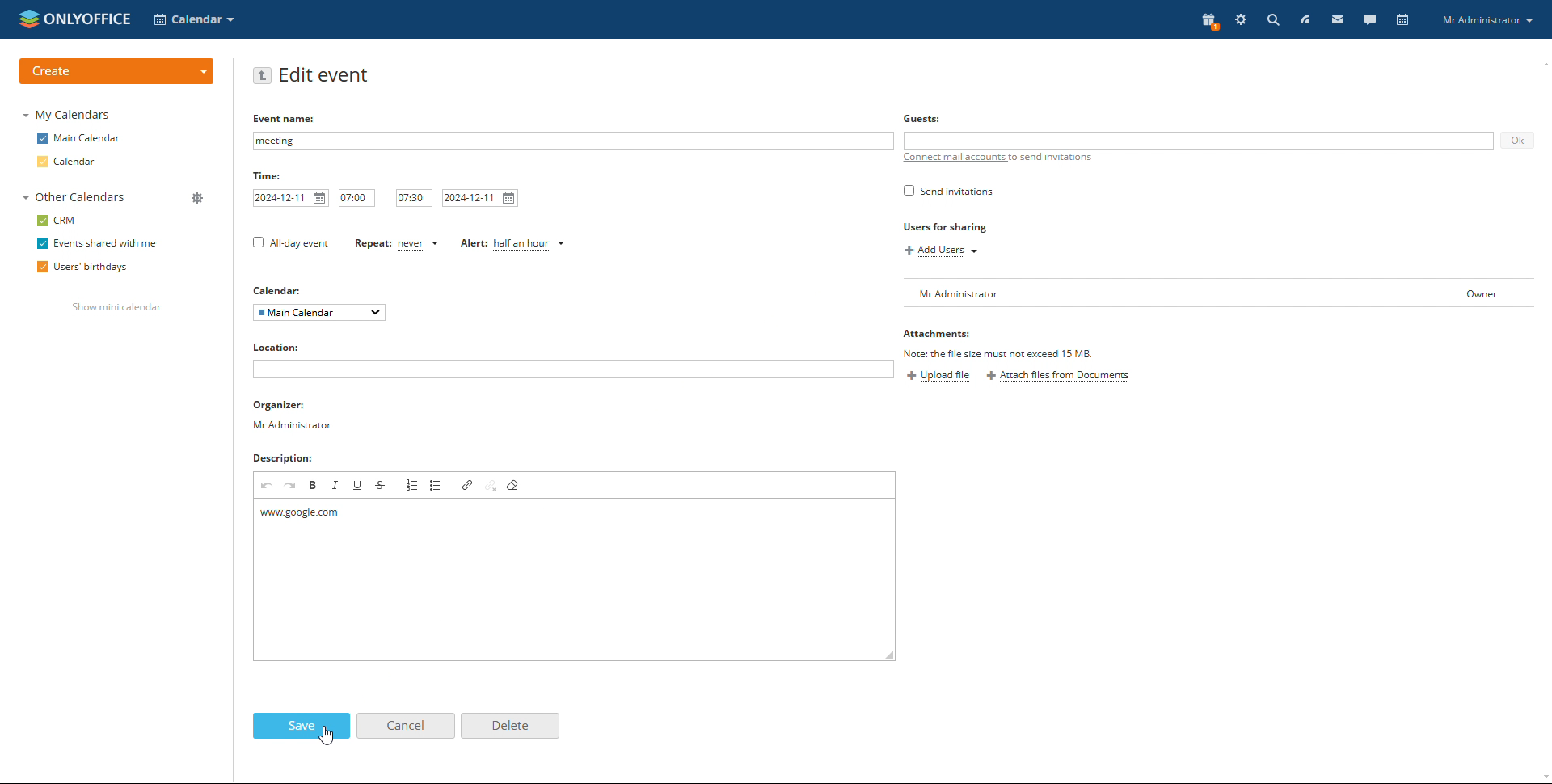  What do you see at coordinates (79, 138) in the screenshot?
I see `main calendar` at bounding box center [79, 138].